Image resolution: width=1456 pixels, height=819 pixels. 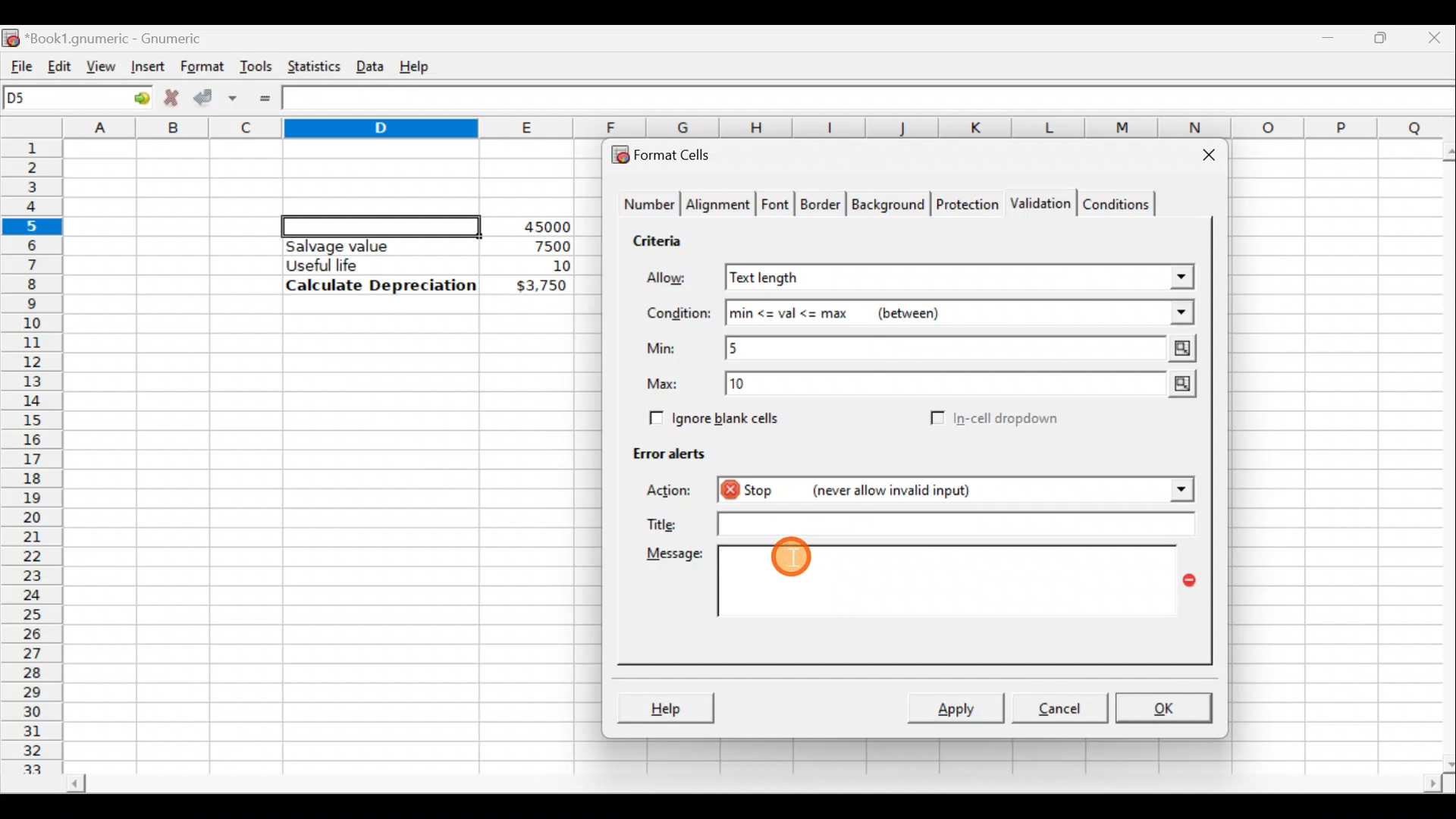 I want to click on Useful life, so click(x=372, y=265).